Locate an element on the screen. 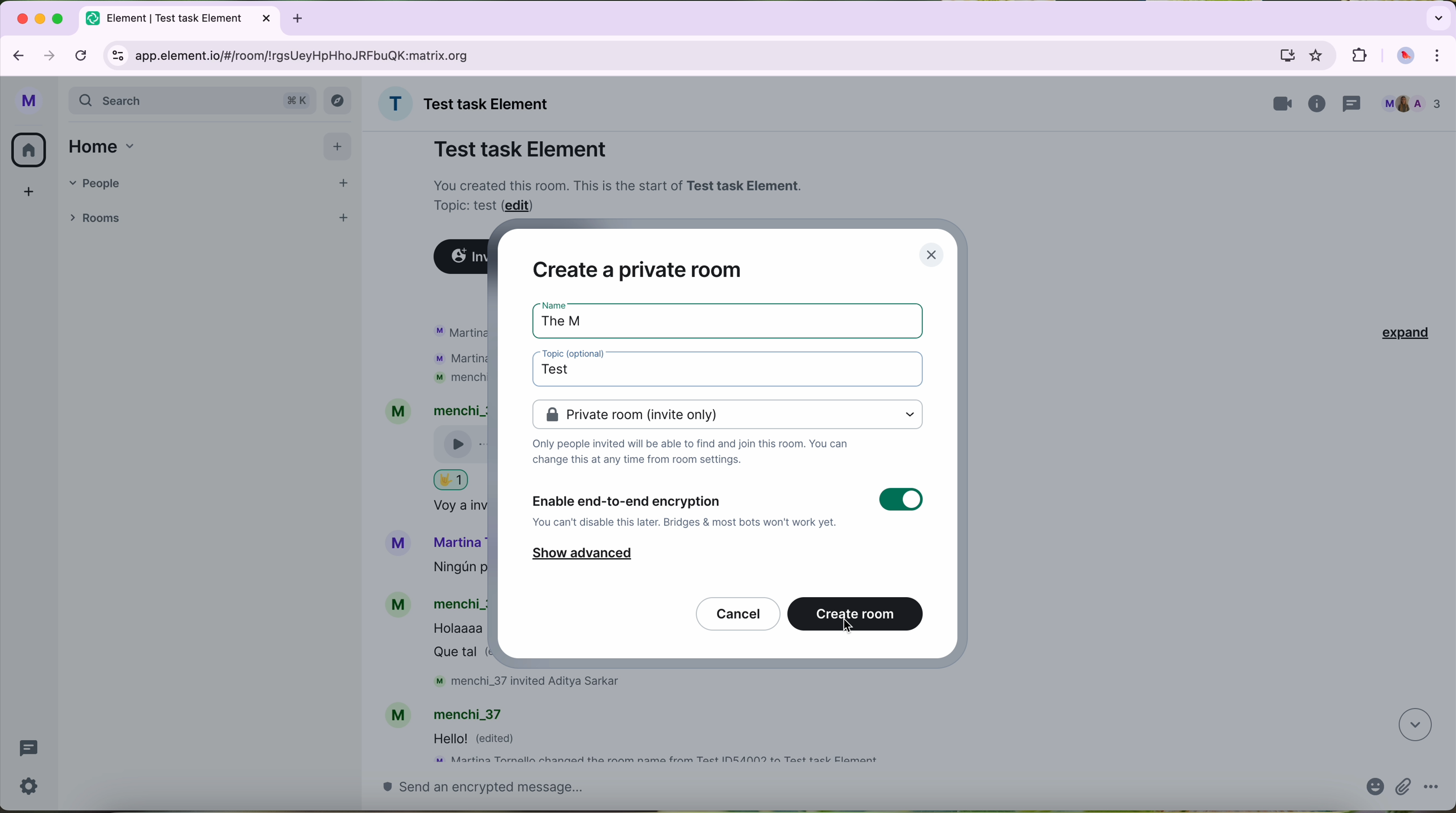 Image resolution: width=1456 pixels, height=813 pixels. add button is located at coordinates (337, 145).